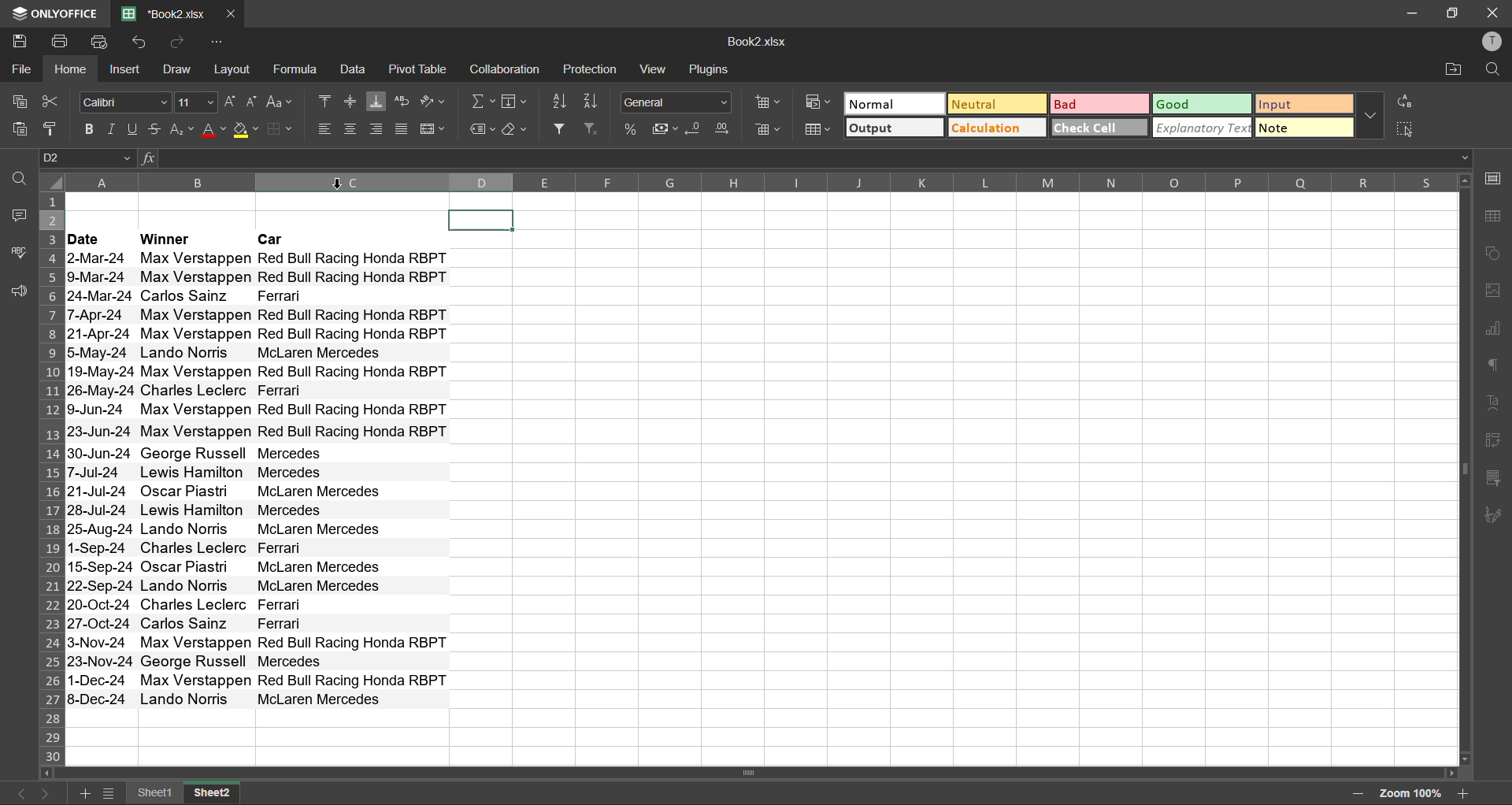 This screenshot has height=805, width=1512. What do you see at coordinates (376, 99) in the screenshot?
I see `align bottom` at bounding box center [376, 99].